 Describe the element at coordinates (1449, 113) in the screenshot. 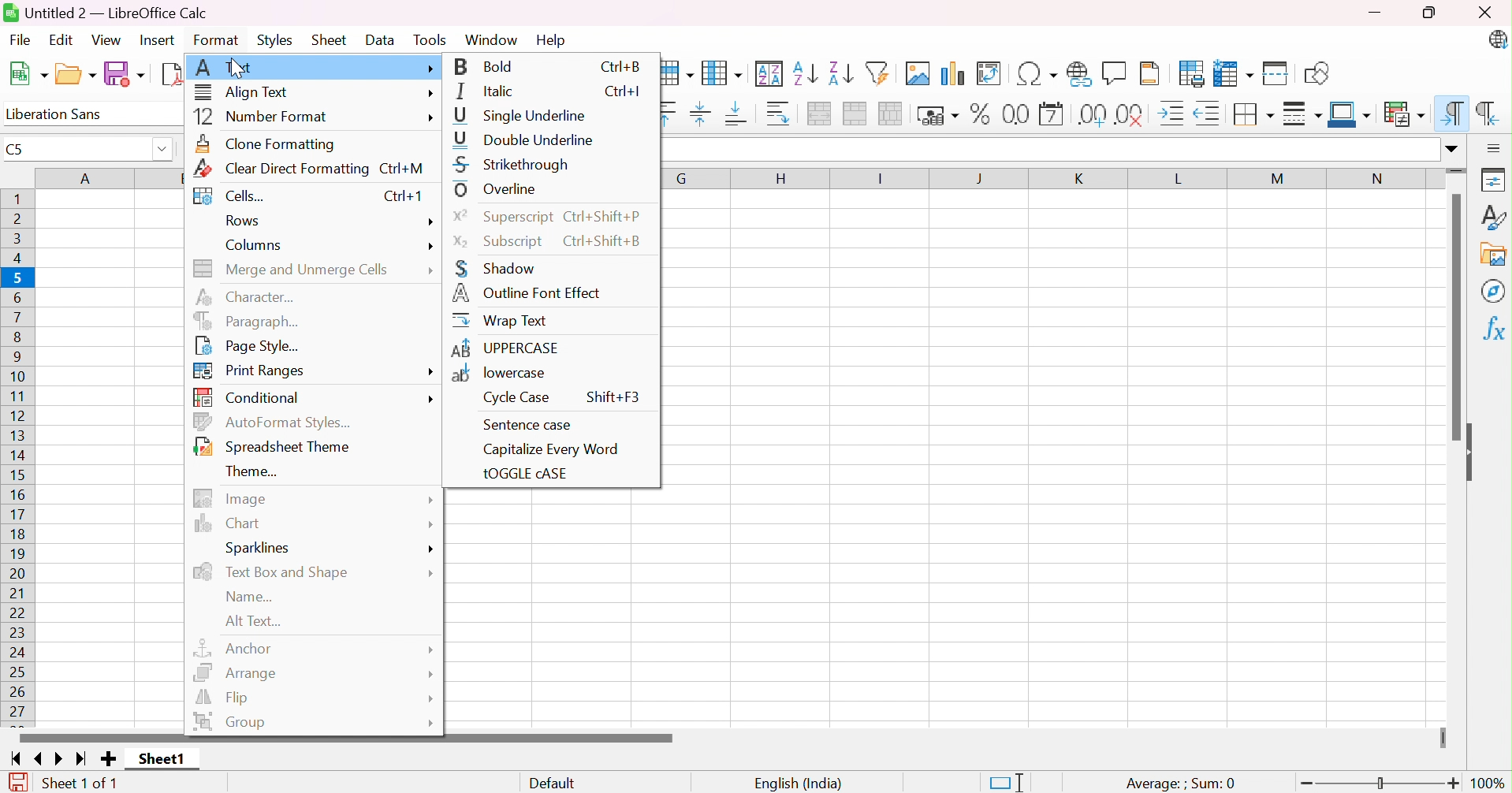

I see `Left-To-Right` at that location.